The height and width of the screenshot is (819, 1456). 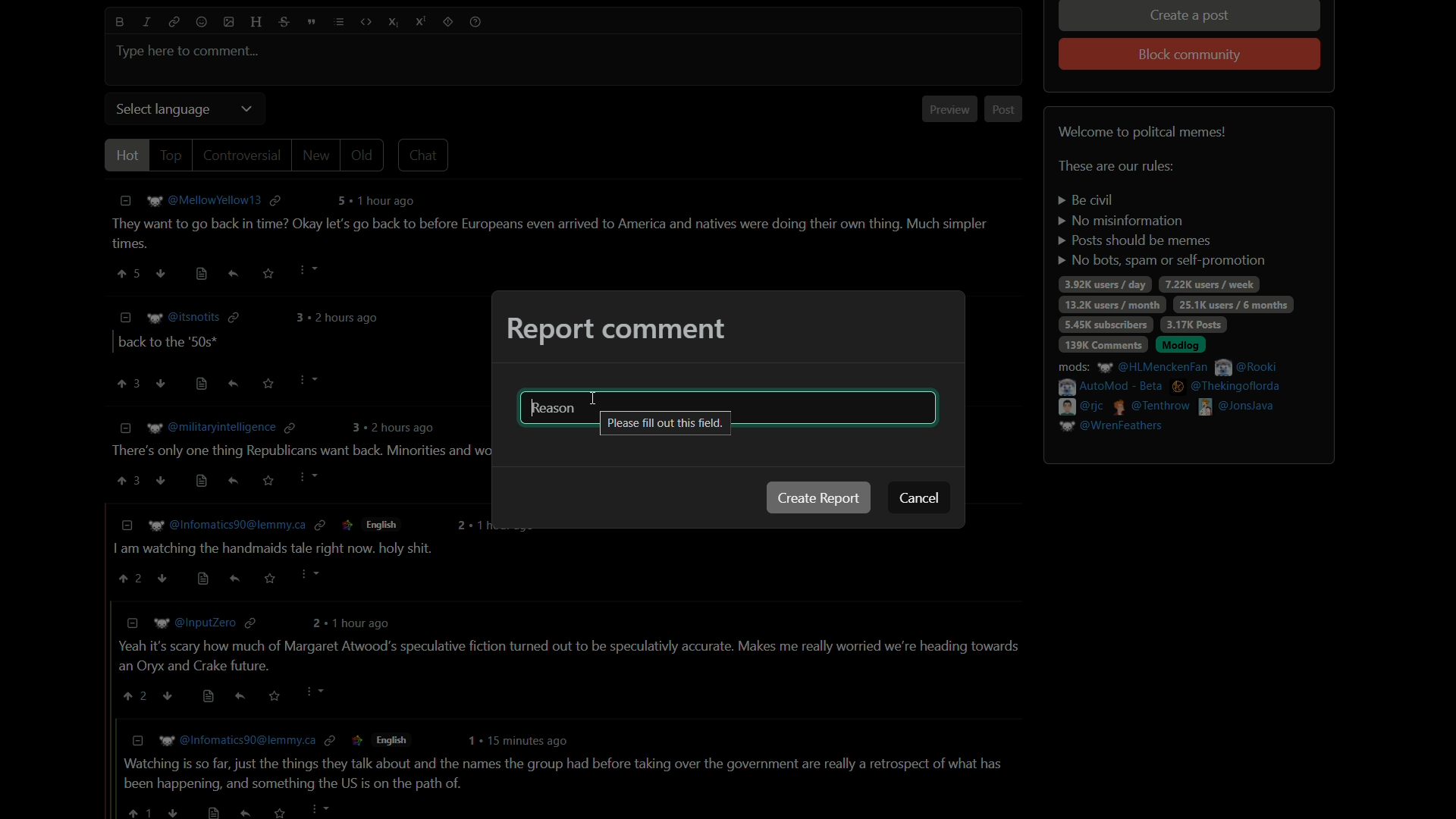 I want to click on please fill out this field pop up, so click(x=667, y=424).